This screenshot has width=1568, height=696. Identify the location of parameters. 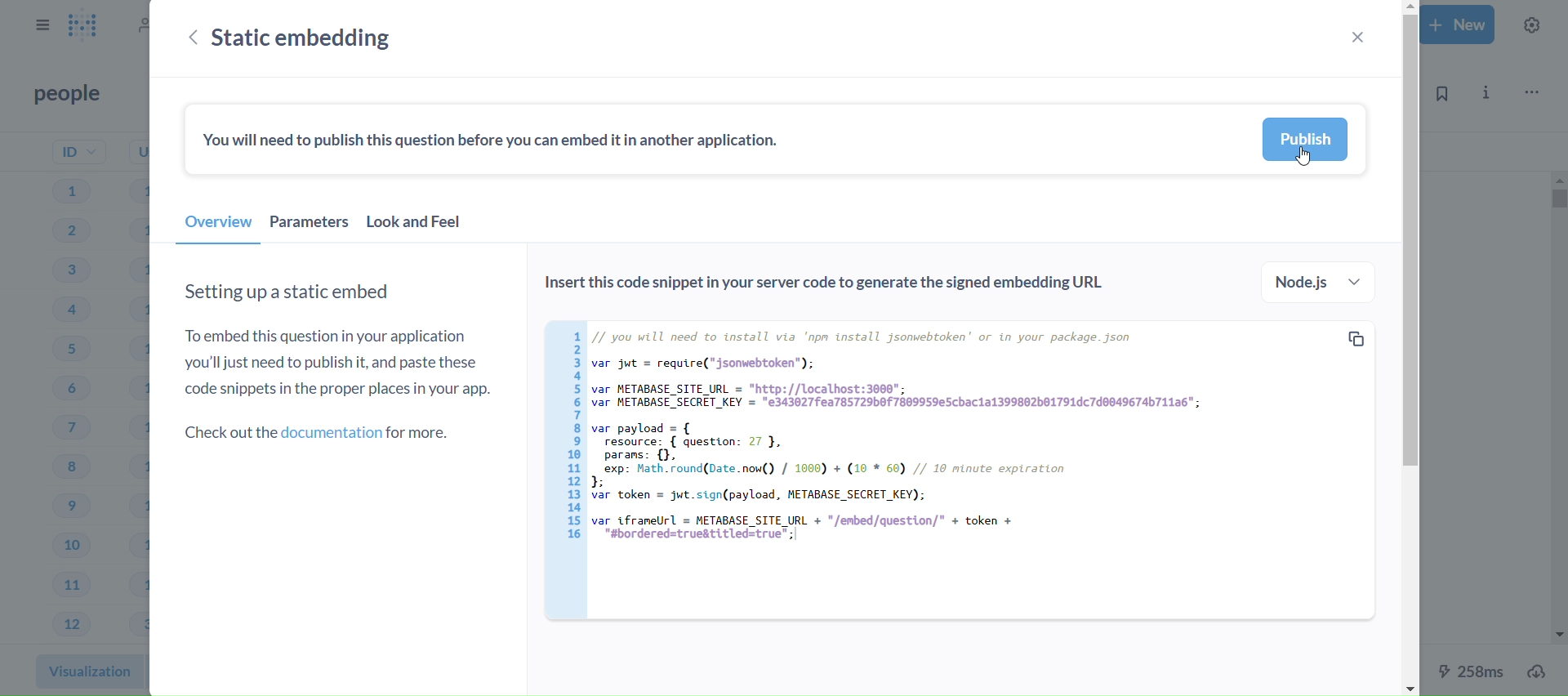
(310, 226).